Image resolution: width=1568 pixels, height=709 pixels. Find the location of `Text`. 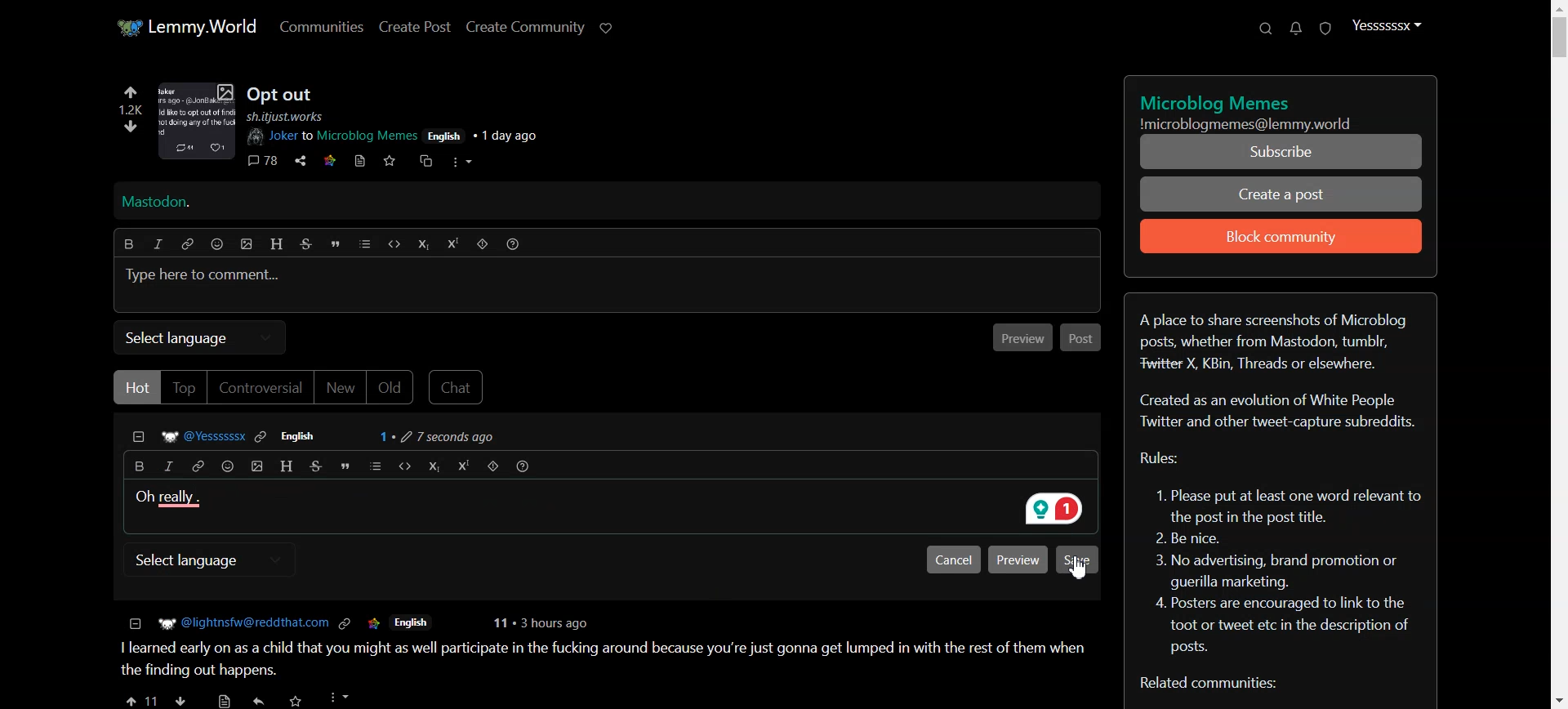

Text is located at coordinates (1263, 124).